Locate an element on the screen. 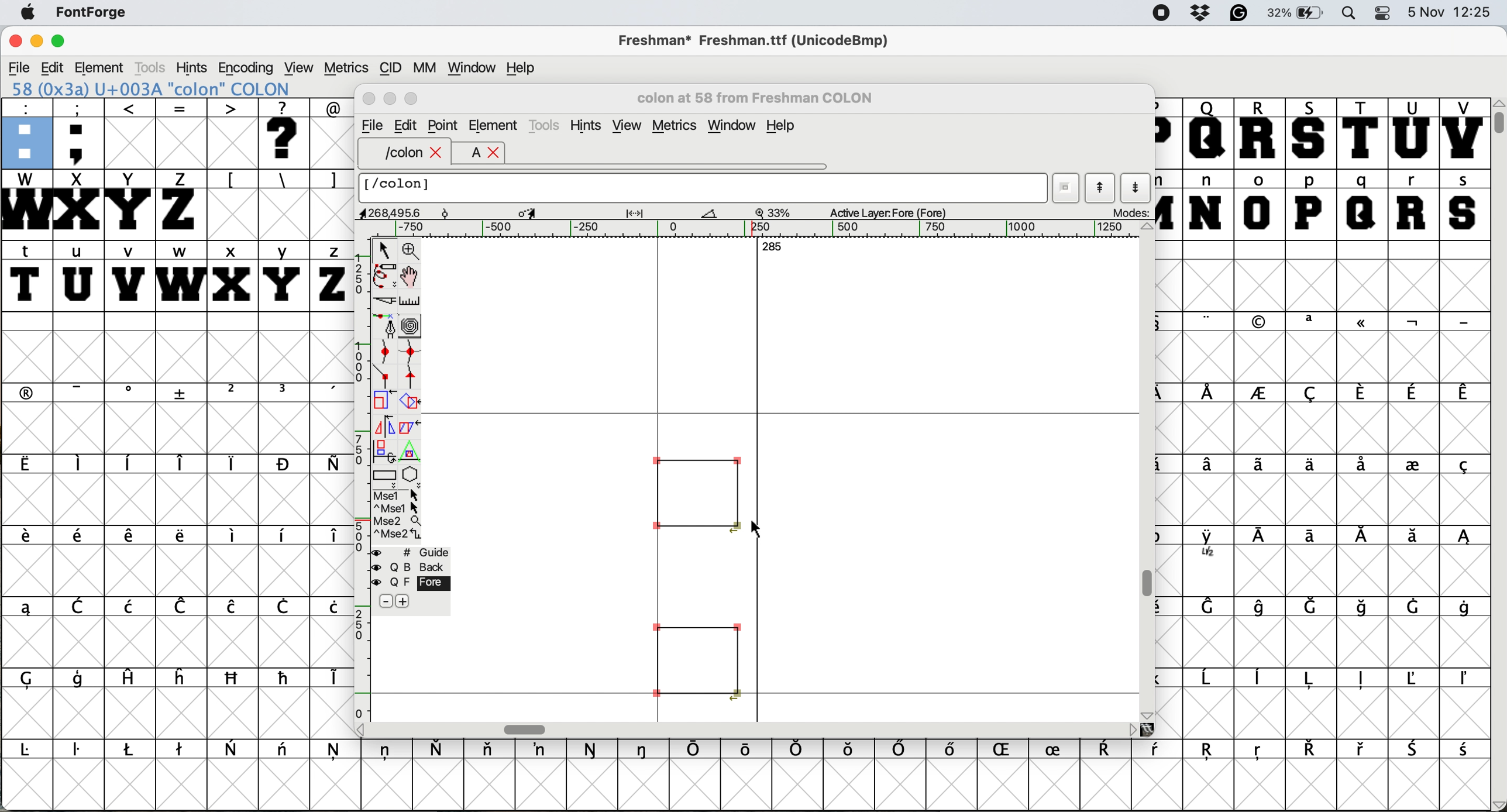 This screenshot has width=1507, height=812. symbol is located at coordinates (183, 393).